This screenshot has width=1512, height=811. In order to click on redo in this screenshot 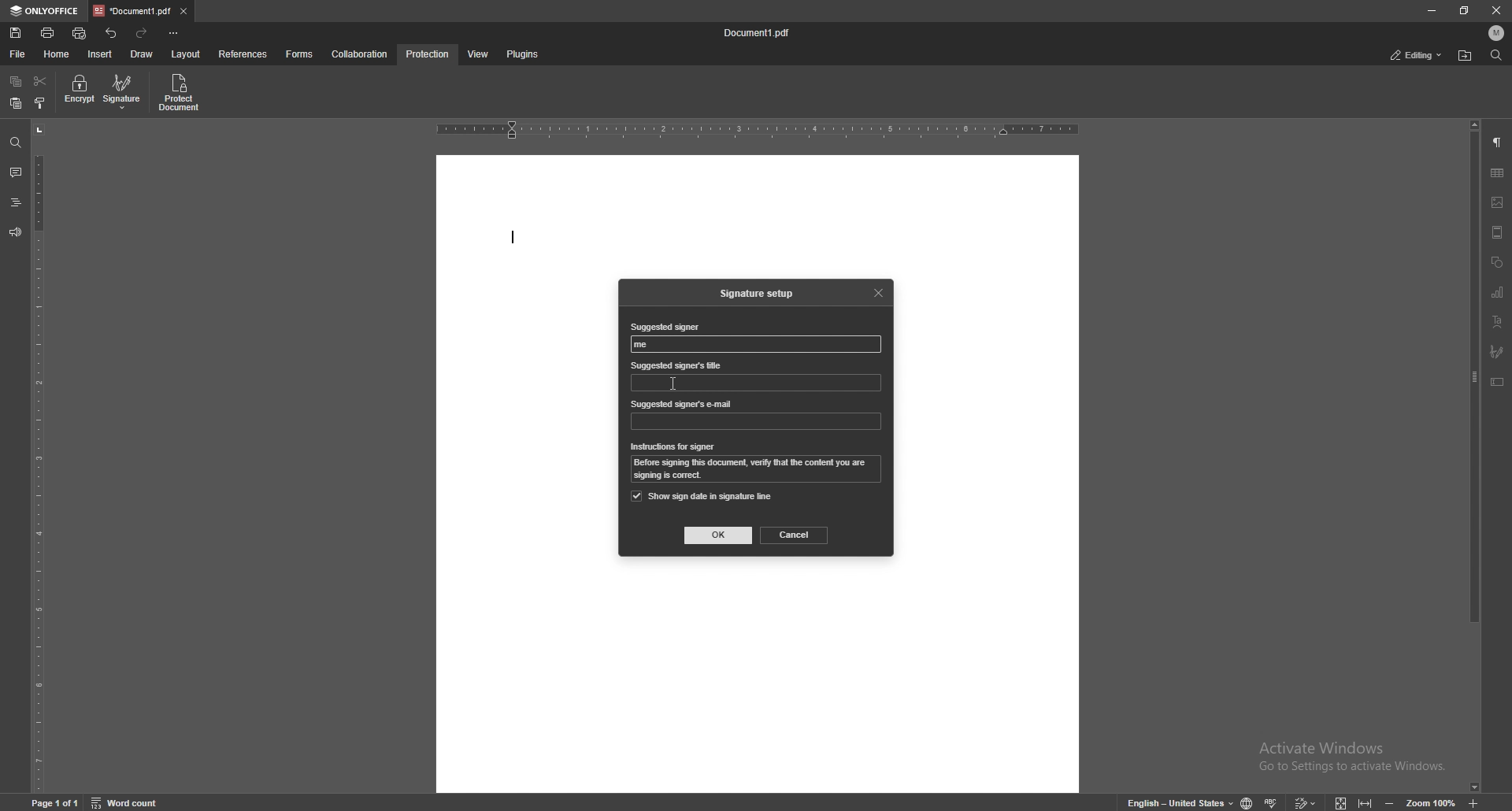, I will do `click(143, 33)`.